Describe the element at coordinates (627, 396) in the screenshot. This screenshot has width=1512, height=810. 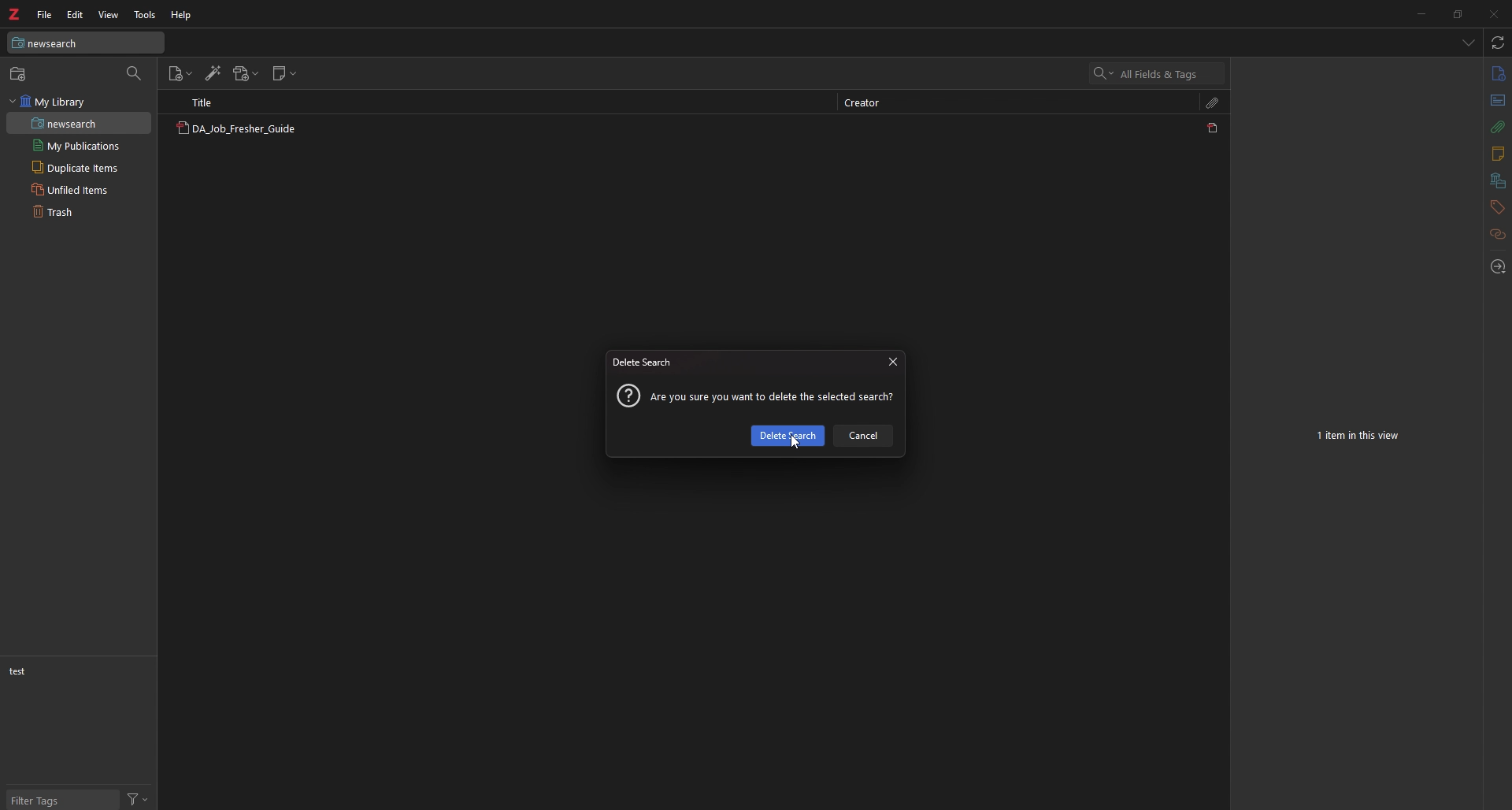
I see `question mark` at that location.